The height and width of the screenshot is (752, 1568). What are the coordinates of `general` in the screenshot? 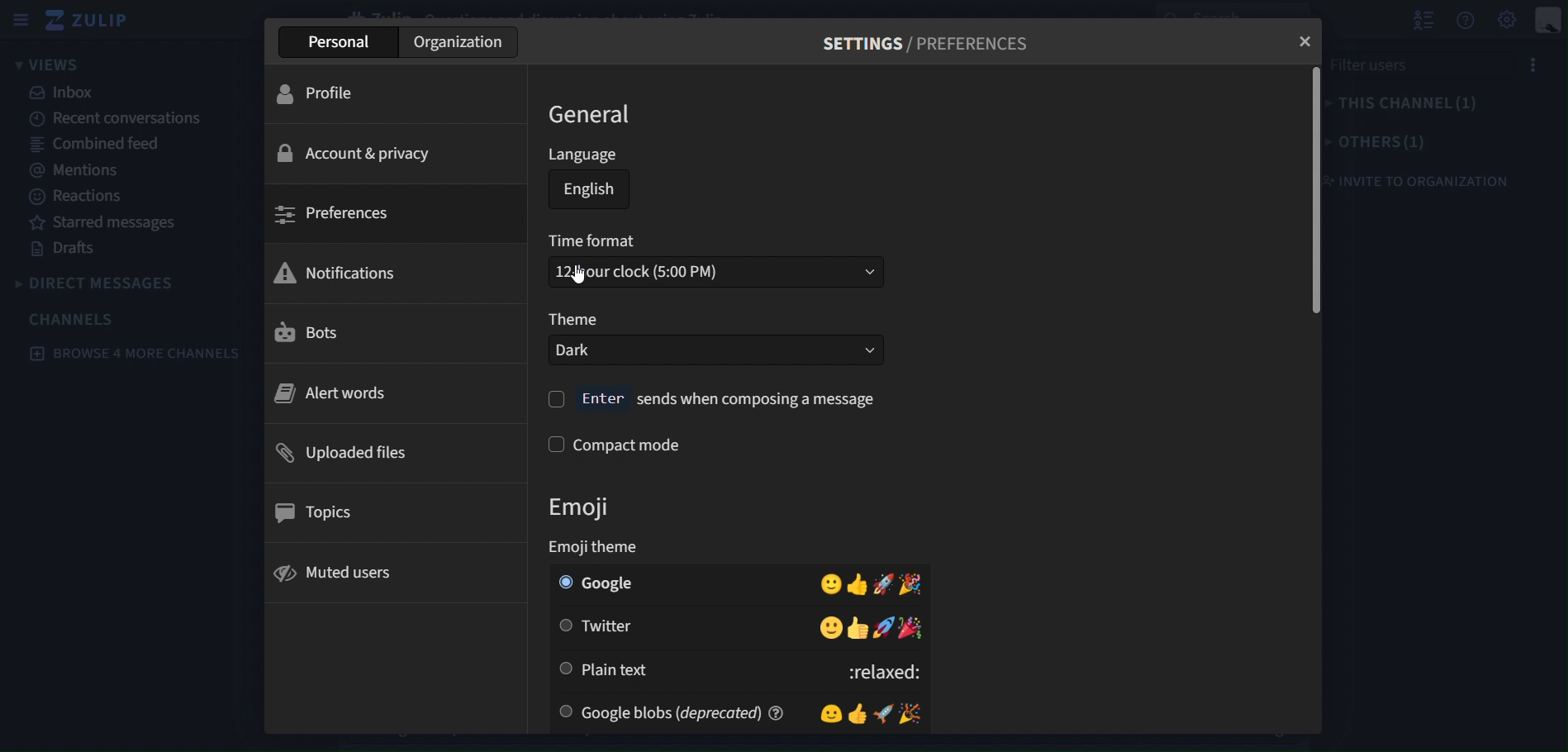 It's located at (588, 113).